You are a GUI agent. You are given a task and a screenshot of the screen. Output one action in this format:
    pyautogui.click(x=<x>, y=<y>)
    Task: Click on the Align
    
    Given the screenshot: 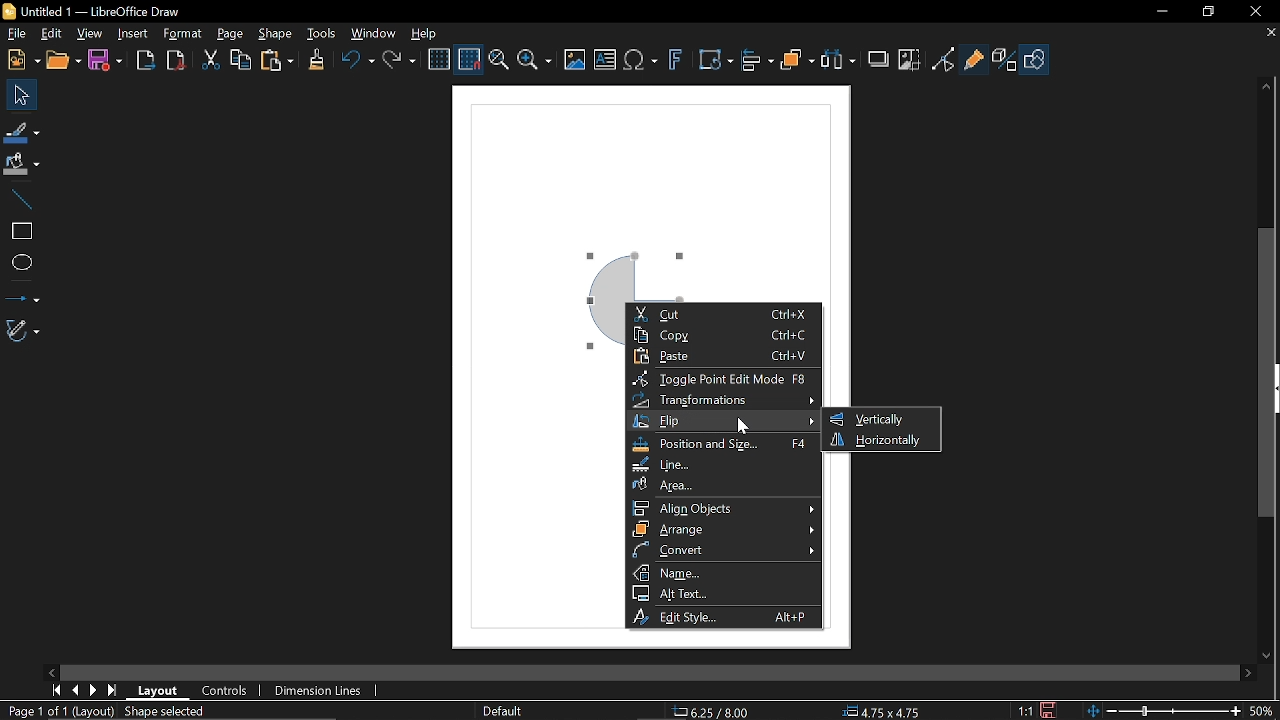 What is the action you would take?
    pyautogui.click(x=724, y=508)
    